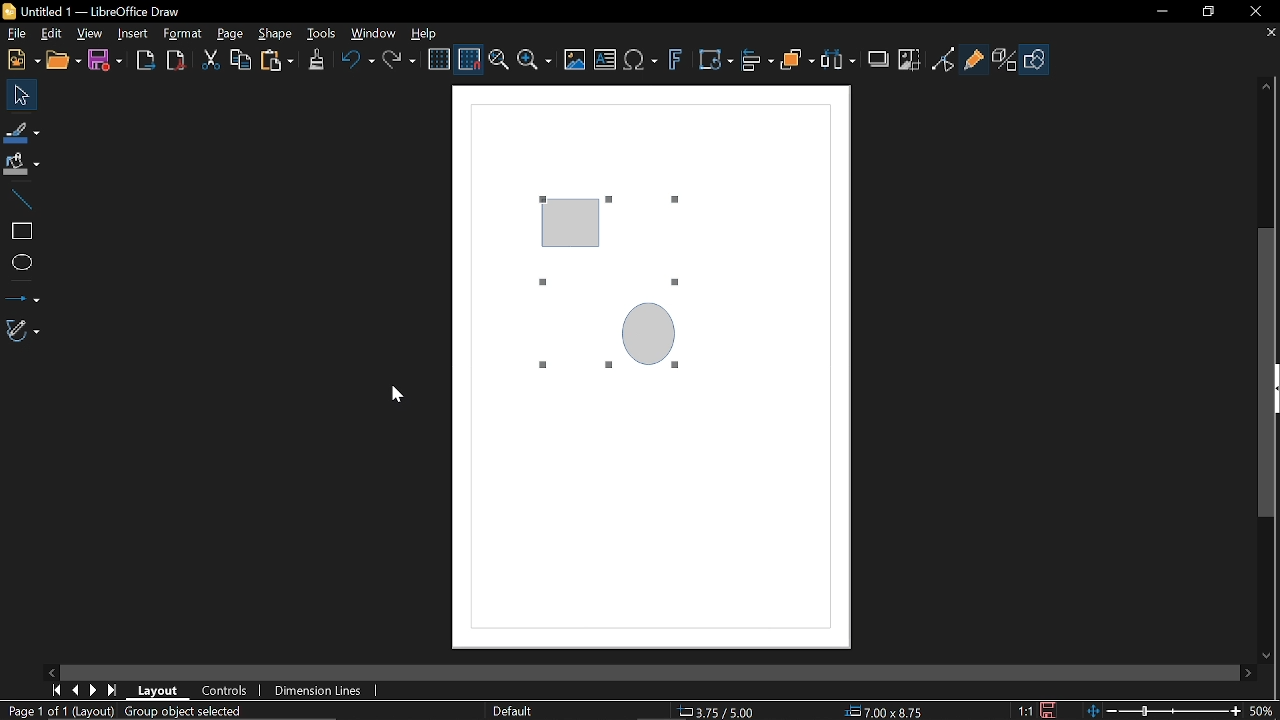  Describe the element at coordinates (132, 35) in the screenshot. I see `Insert` at that location.